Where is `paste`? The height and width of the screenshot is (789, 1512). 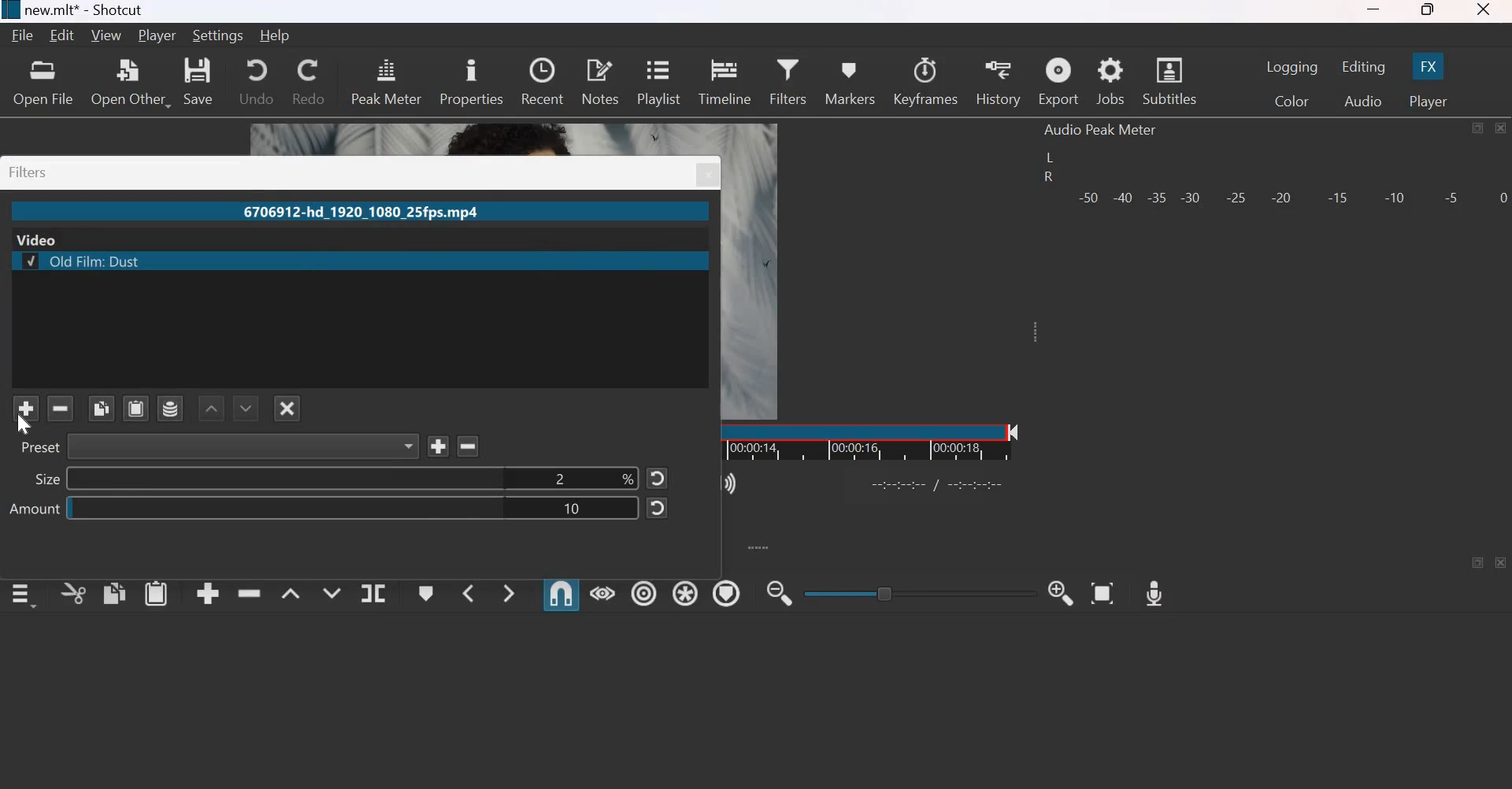
paste is located at coordinates (156, 593).